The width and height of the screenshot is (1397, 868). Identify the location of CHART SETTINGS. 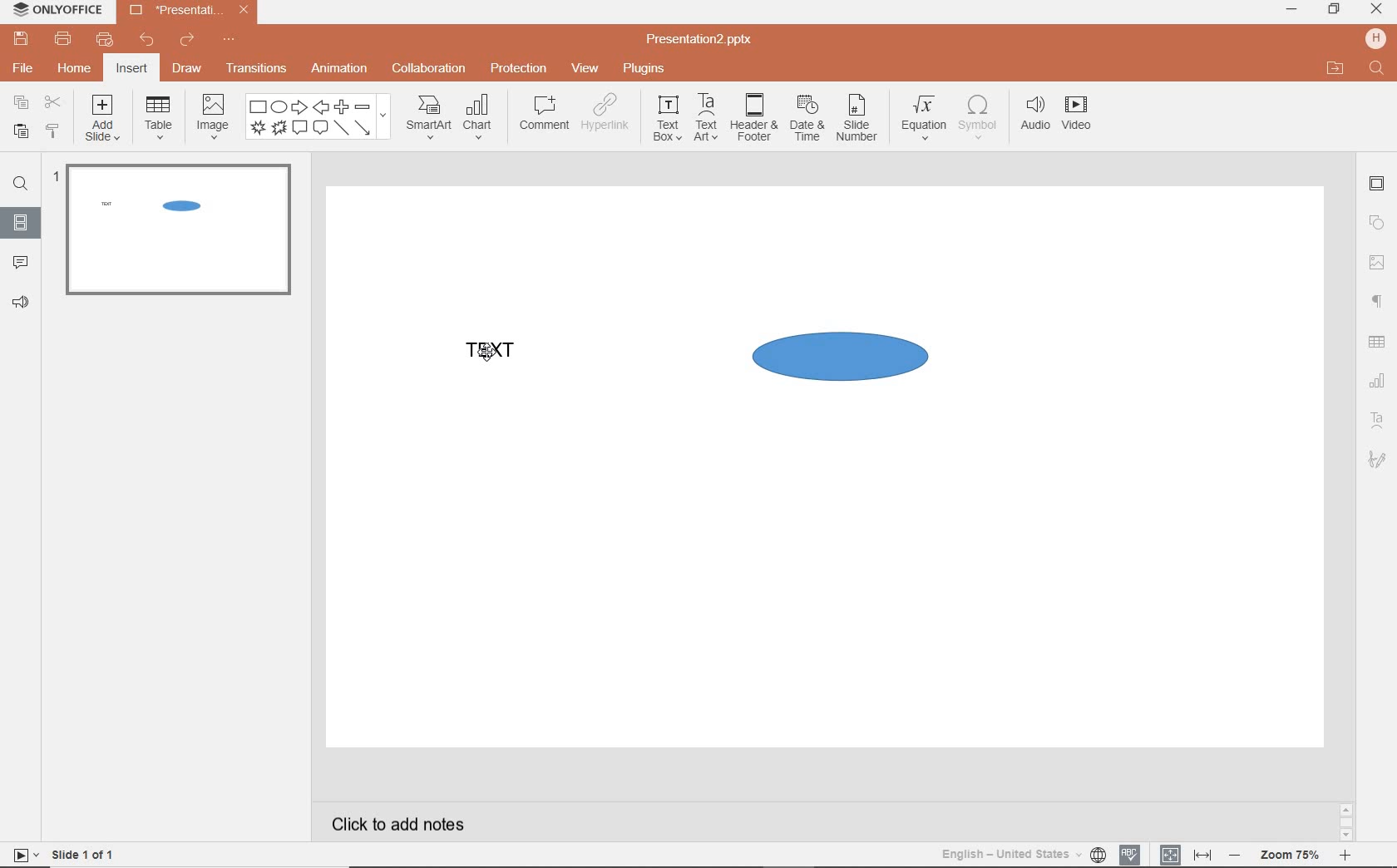
(1378, 381).